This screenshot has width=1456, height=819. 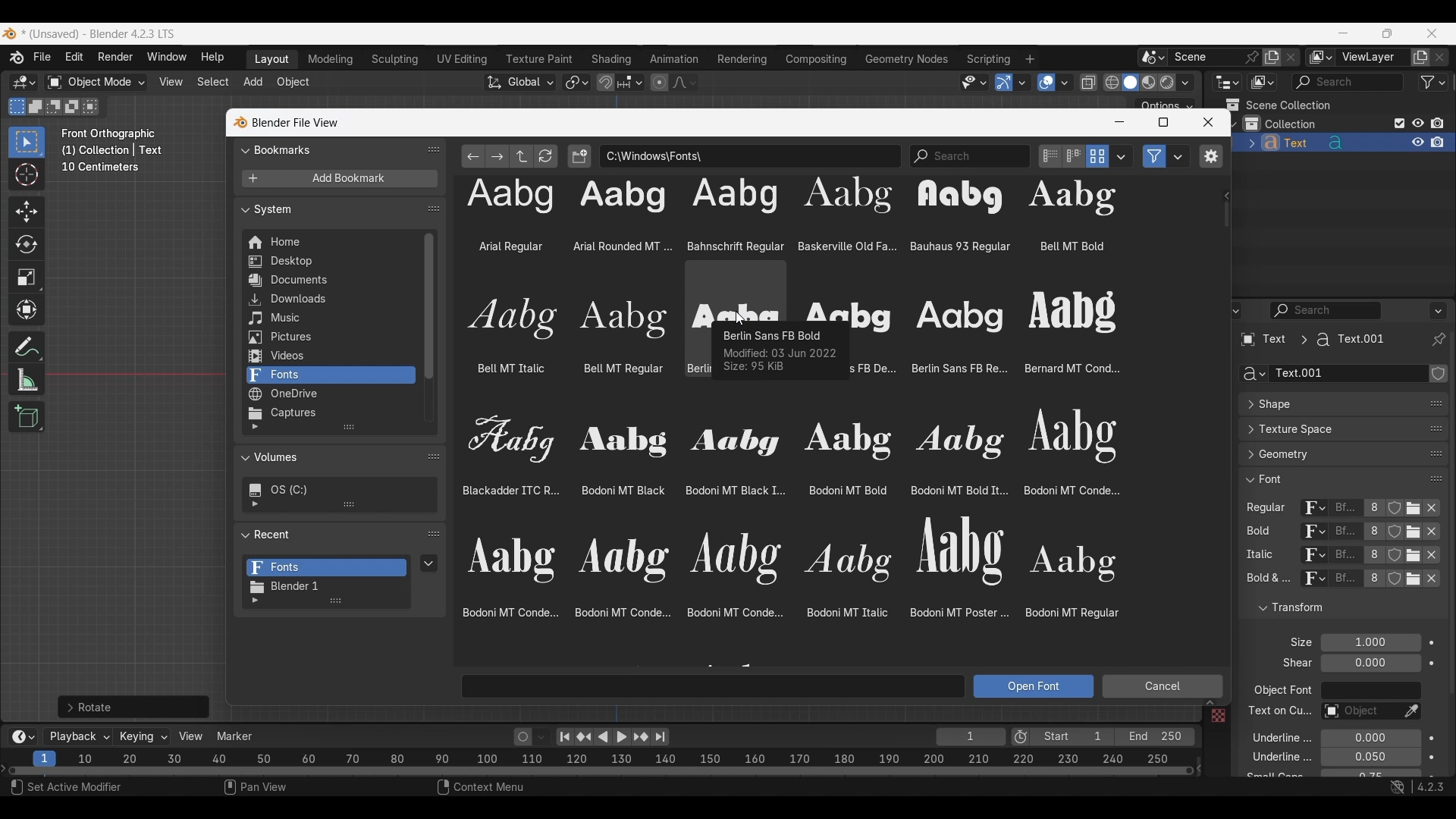 I want to click on Fonts folder, current selection, so click(x=330, y=375).